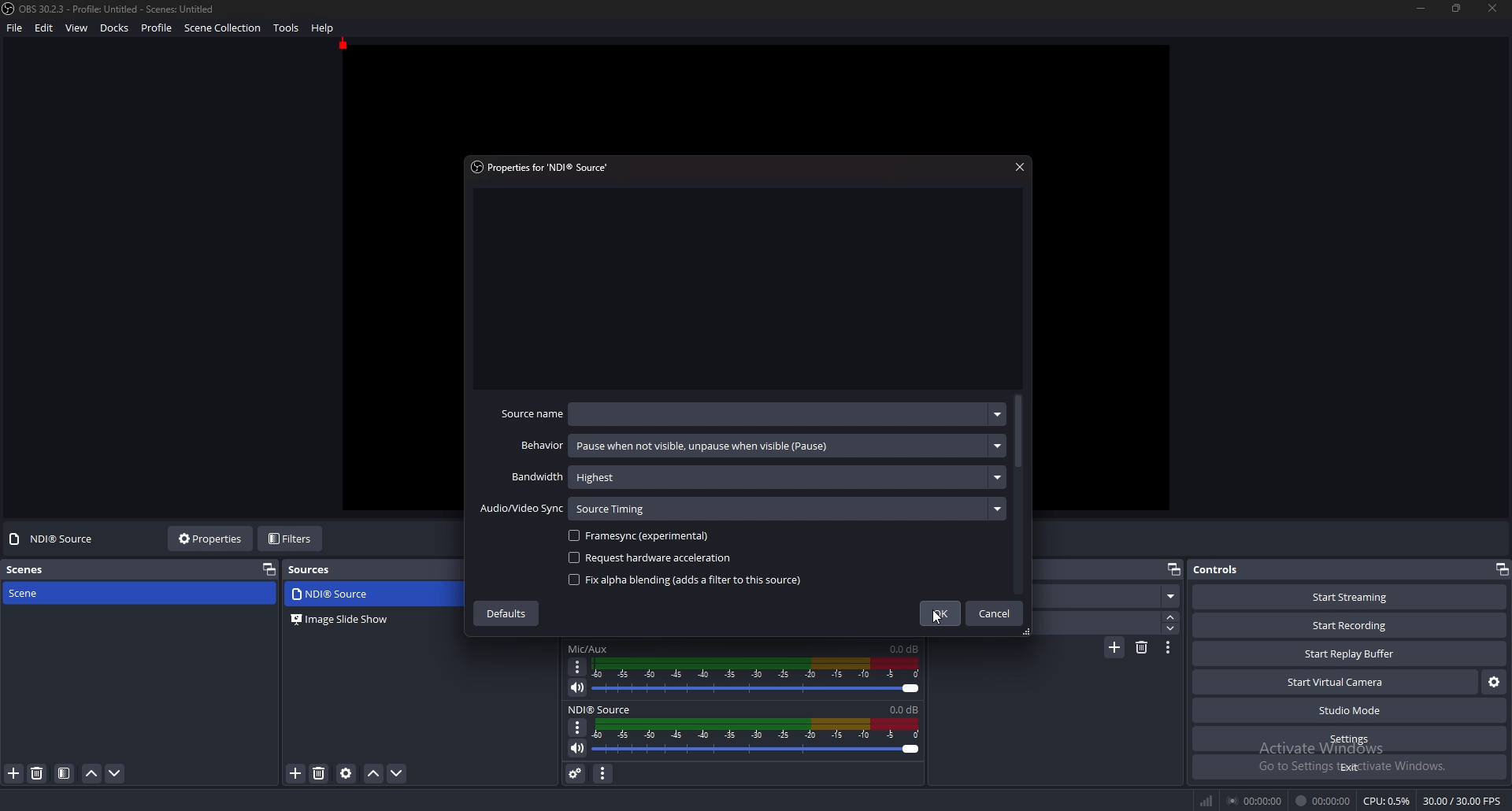 The image size is (1512, 811). What do you see at coordinates (1350, 598) in the screenshot?
I see `start streaming` at bounding box center [1350, 598].